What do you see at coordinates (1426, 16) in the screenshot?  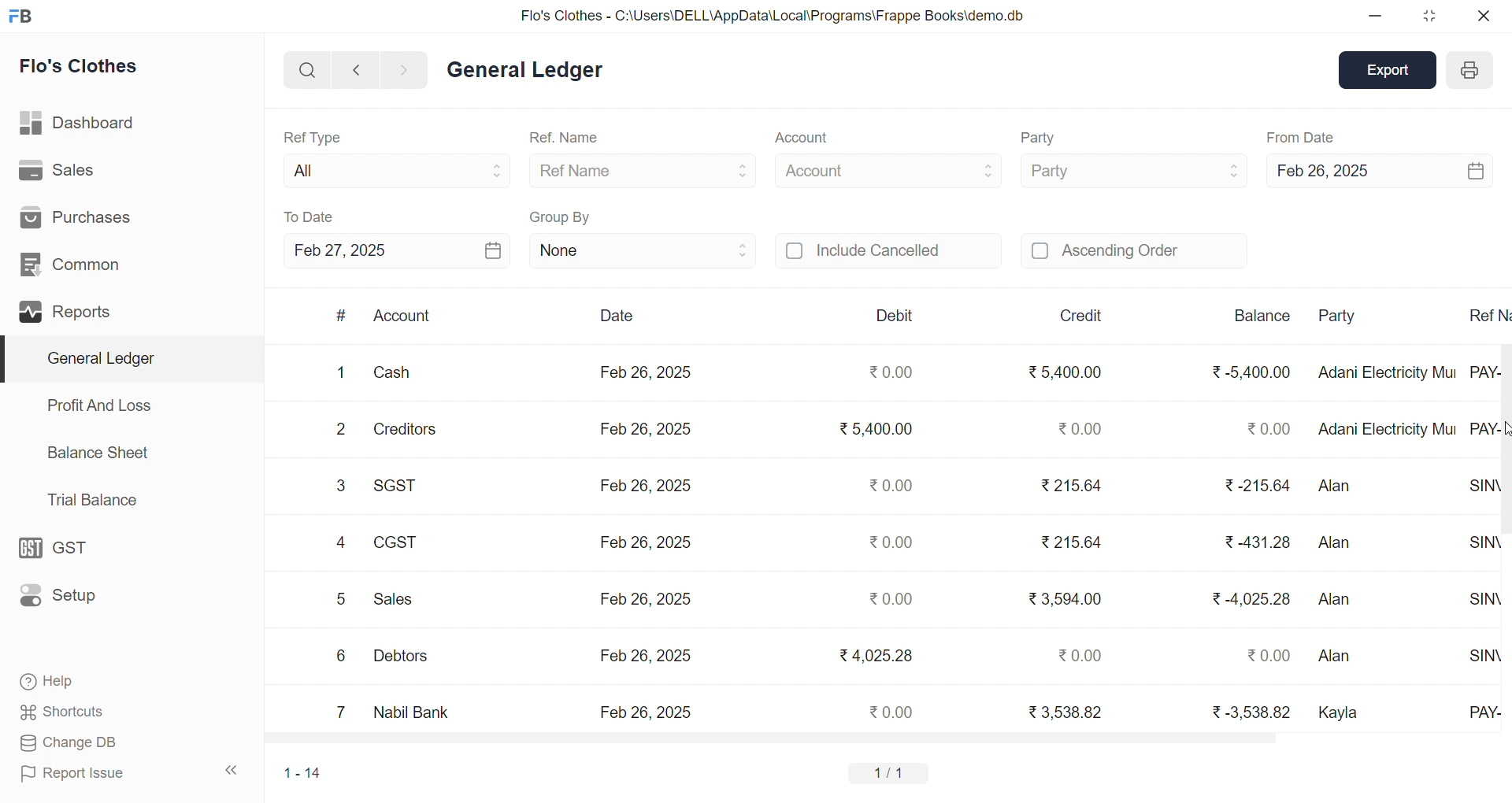 I see `RESIZE` at bounding box center [1426, 16].